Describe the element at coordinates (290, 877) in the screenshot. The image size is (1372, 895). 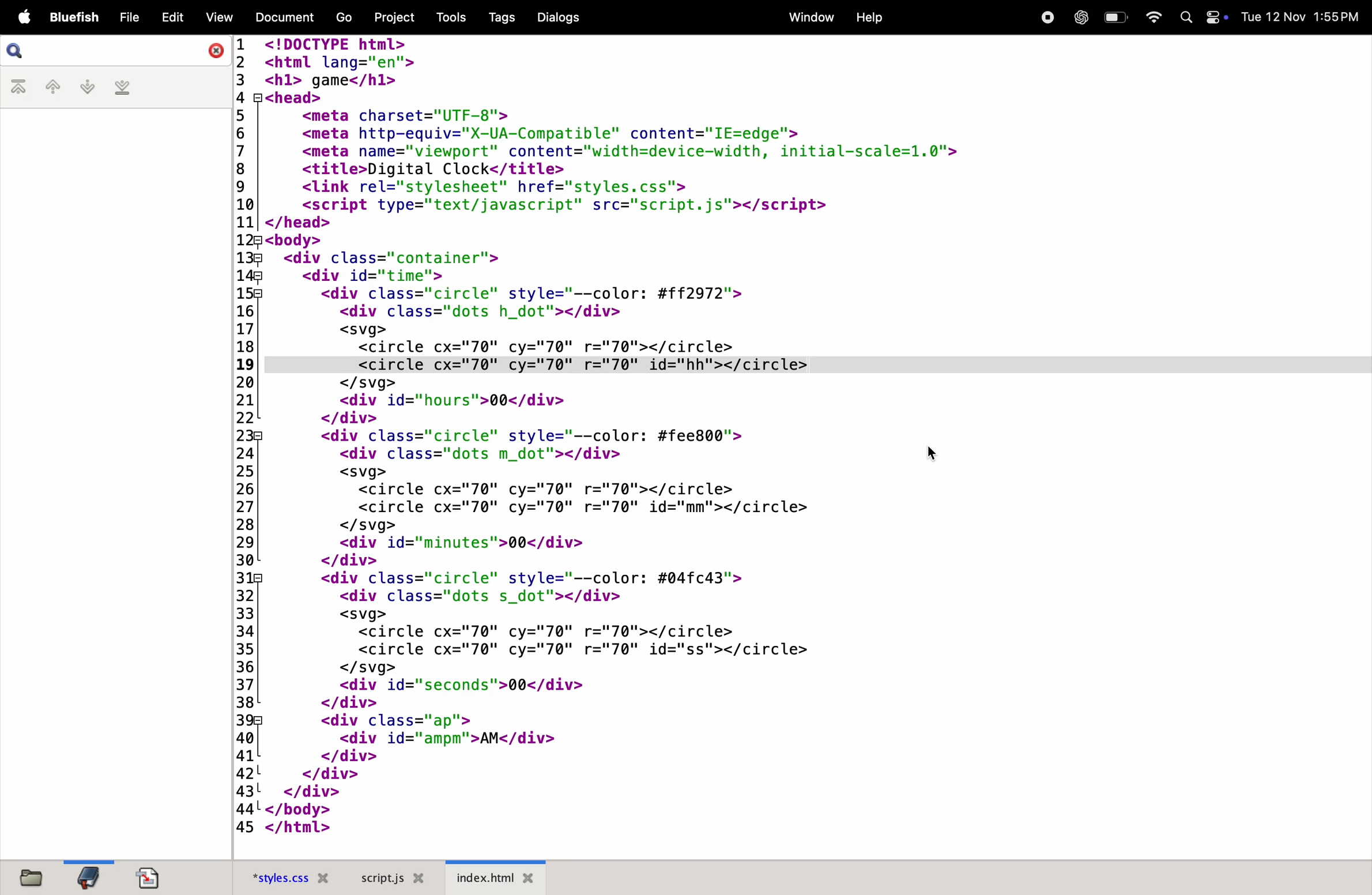
I see `style.css` at that location.